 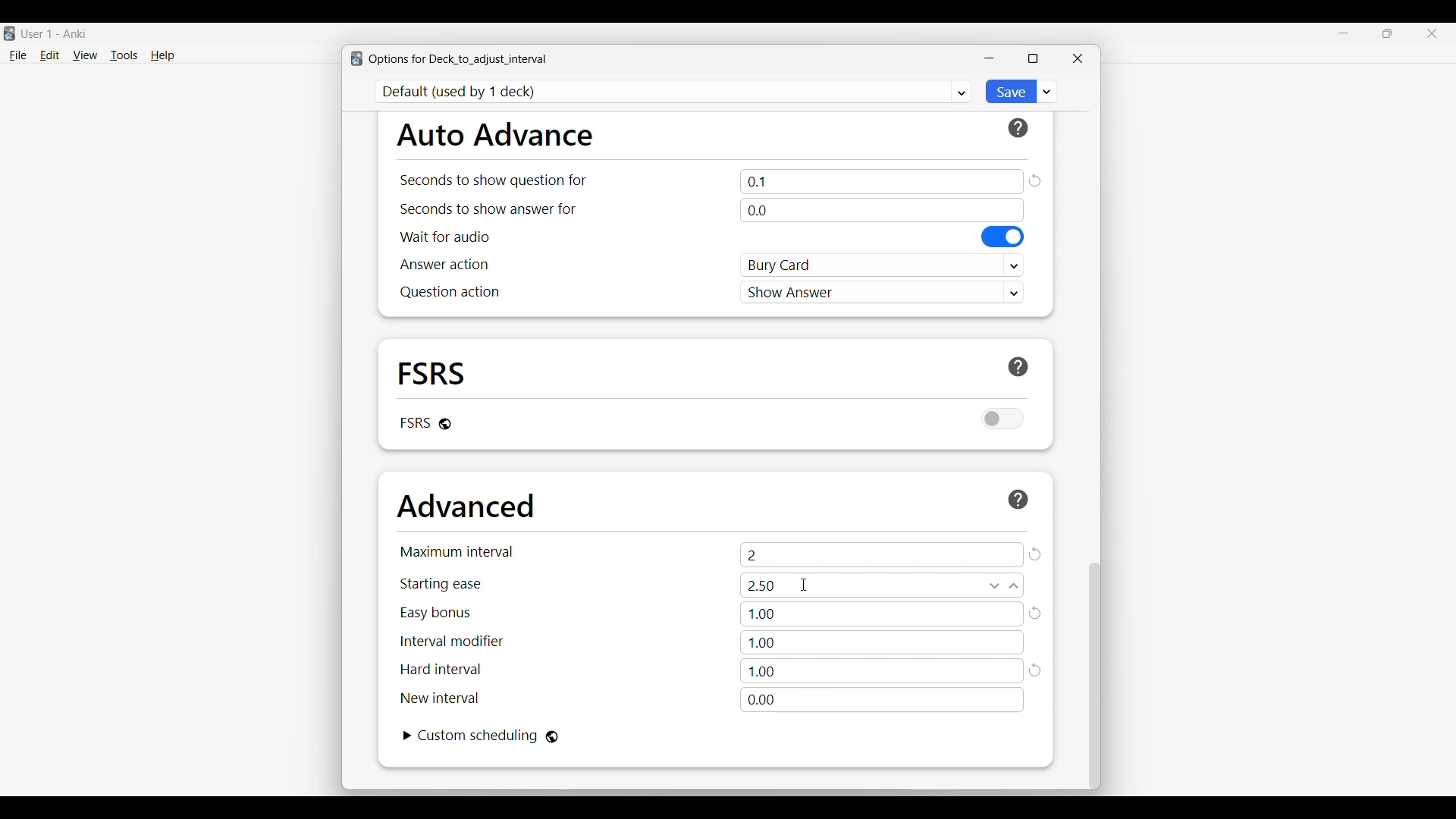 What do you see at coordinates (452, 641) in the screenshot?
I see `Indicates interval modifier` at bounding box center [452, 641].